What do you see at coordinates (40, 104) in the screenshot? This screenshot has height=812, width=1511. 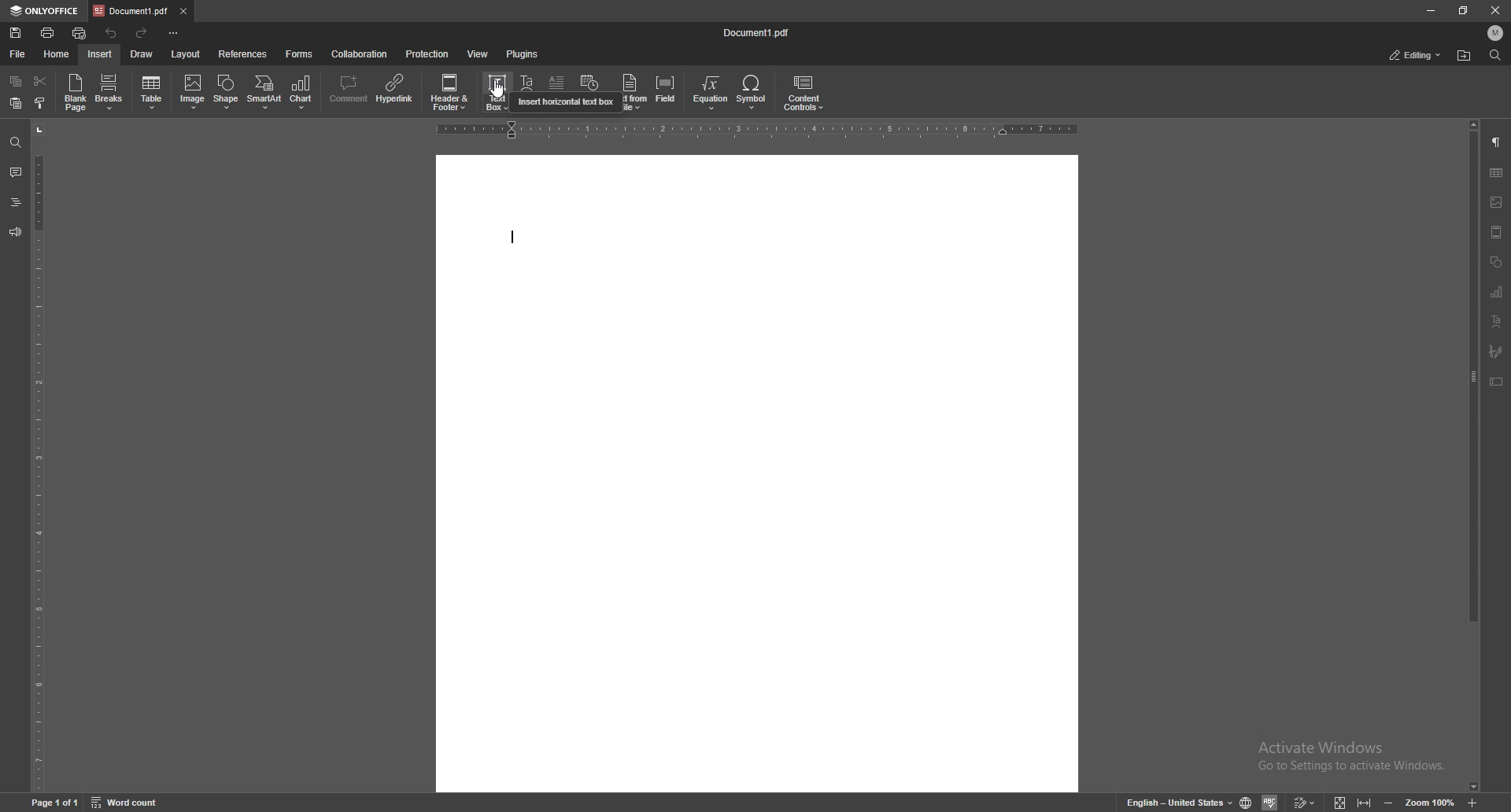 I see `copy style` at bounding box center [40, 104].